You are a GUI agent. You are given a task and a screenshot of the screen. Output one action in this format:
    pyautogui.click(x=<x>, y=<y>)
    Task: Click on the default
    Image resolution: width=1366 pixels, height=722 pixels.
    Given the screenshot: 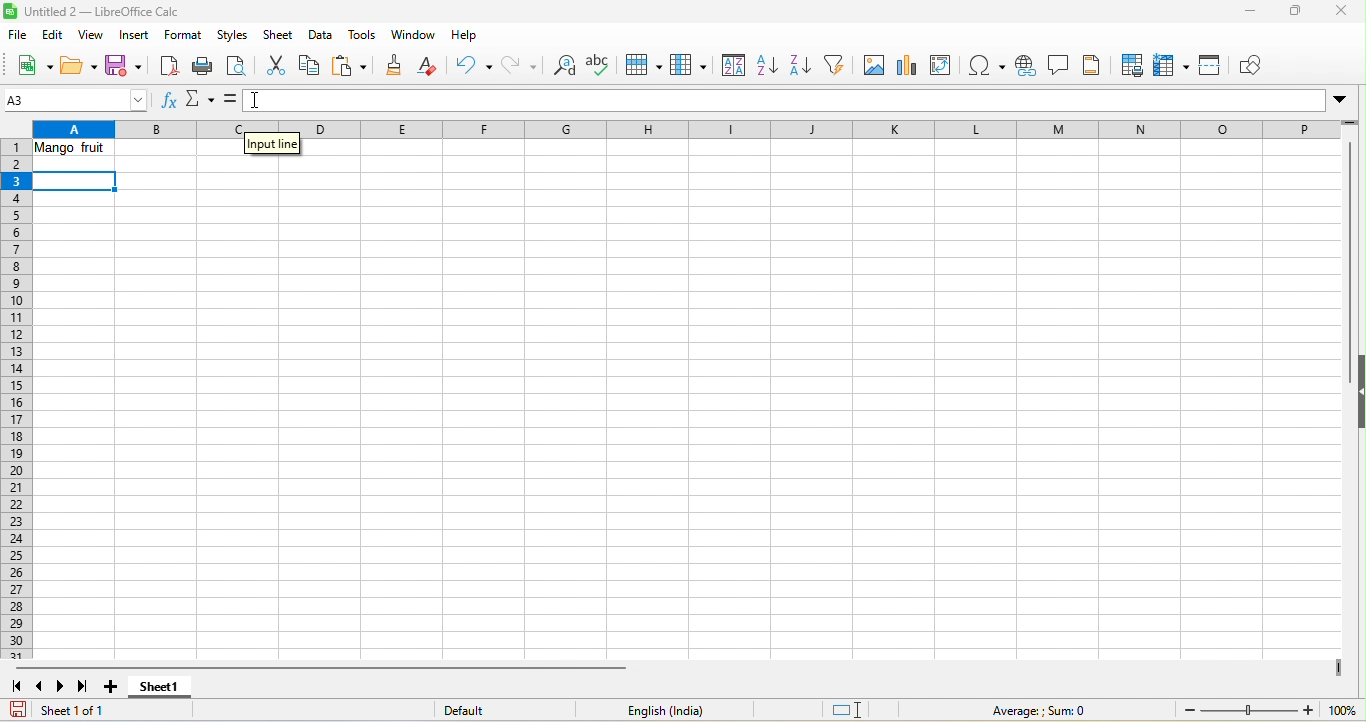 What is the action you would take?
    pyautogui.click(x=485, y=711)
    